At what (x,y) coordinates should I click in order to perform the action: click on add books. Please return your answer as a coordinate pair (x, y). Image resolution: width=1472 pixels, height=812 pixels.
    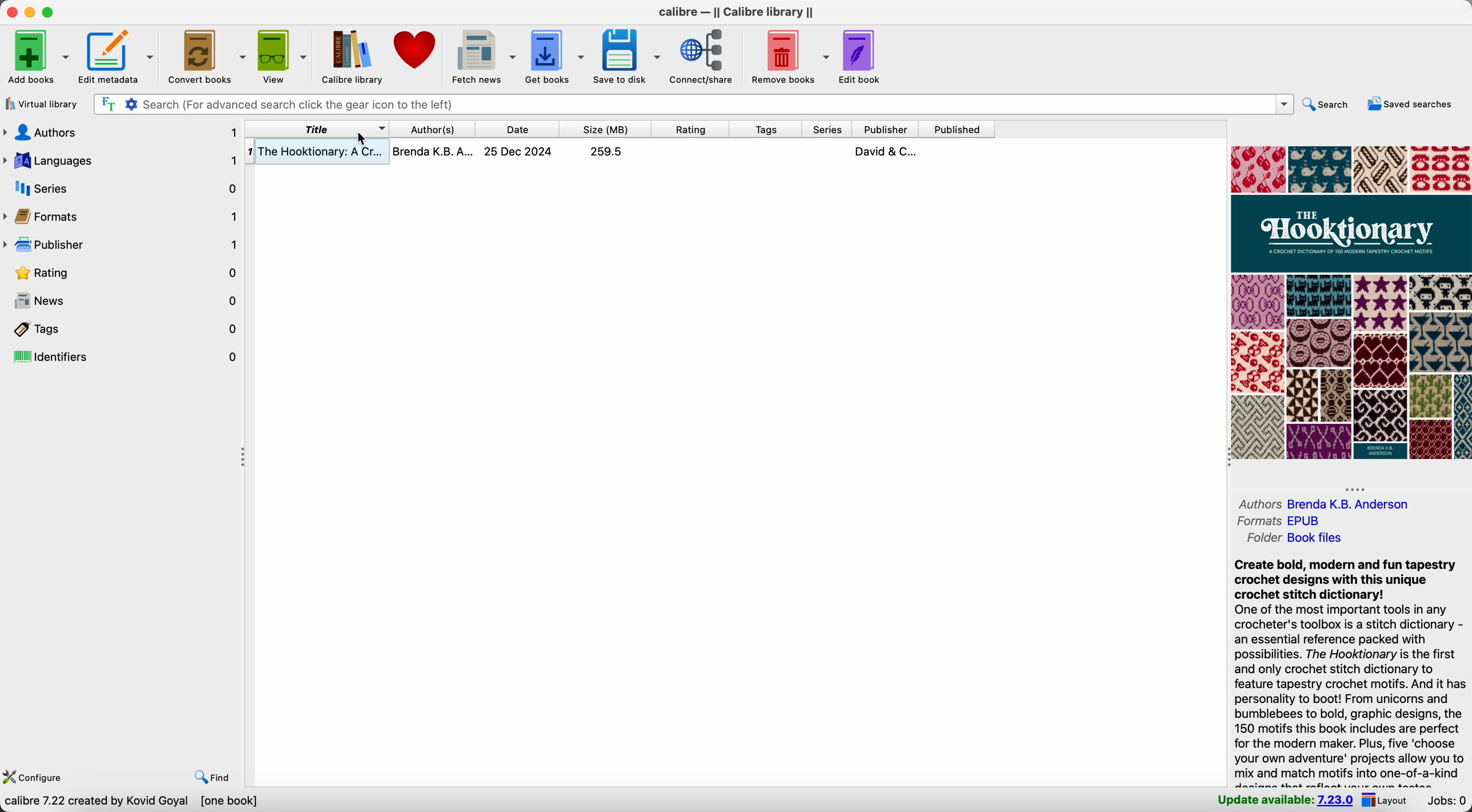
    Looking at the image, I should click on (35, 58).